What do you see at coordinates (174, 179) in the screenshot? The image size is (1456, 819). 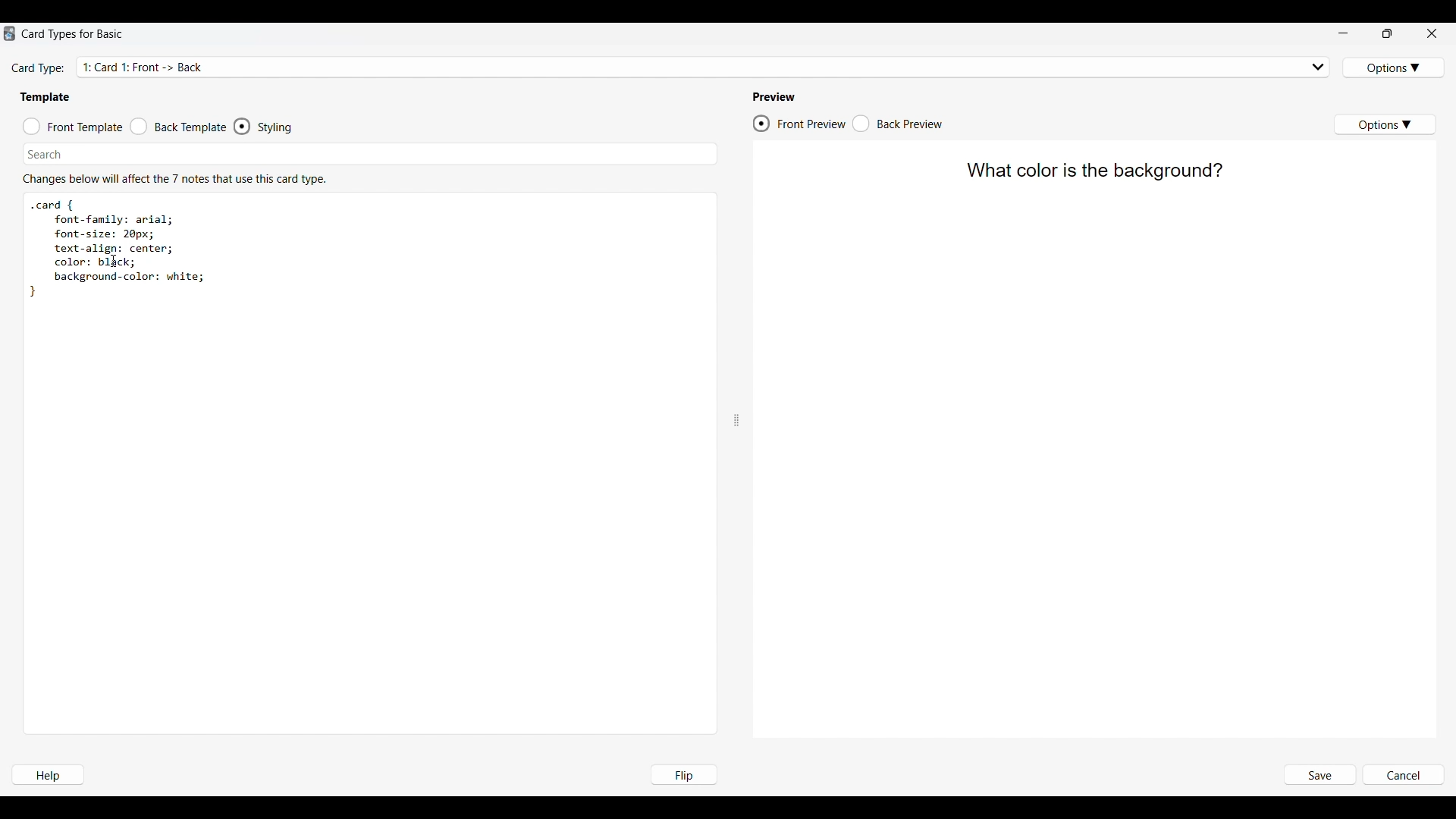 I see `Description of section` at bounding box center [174, 179].